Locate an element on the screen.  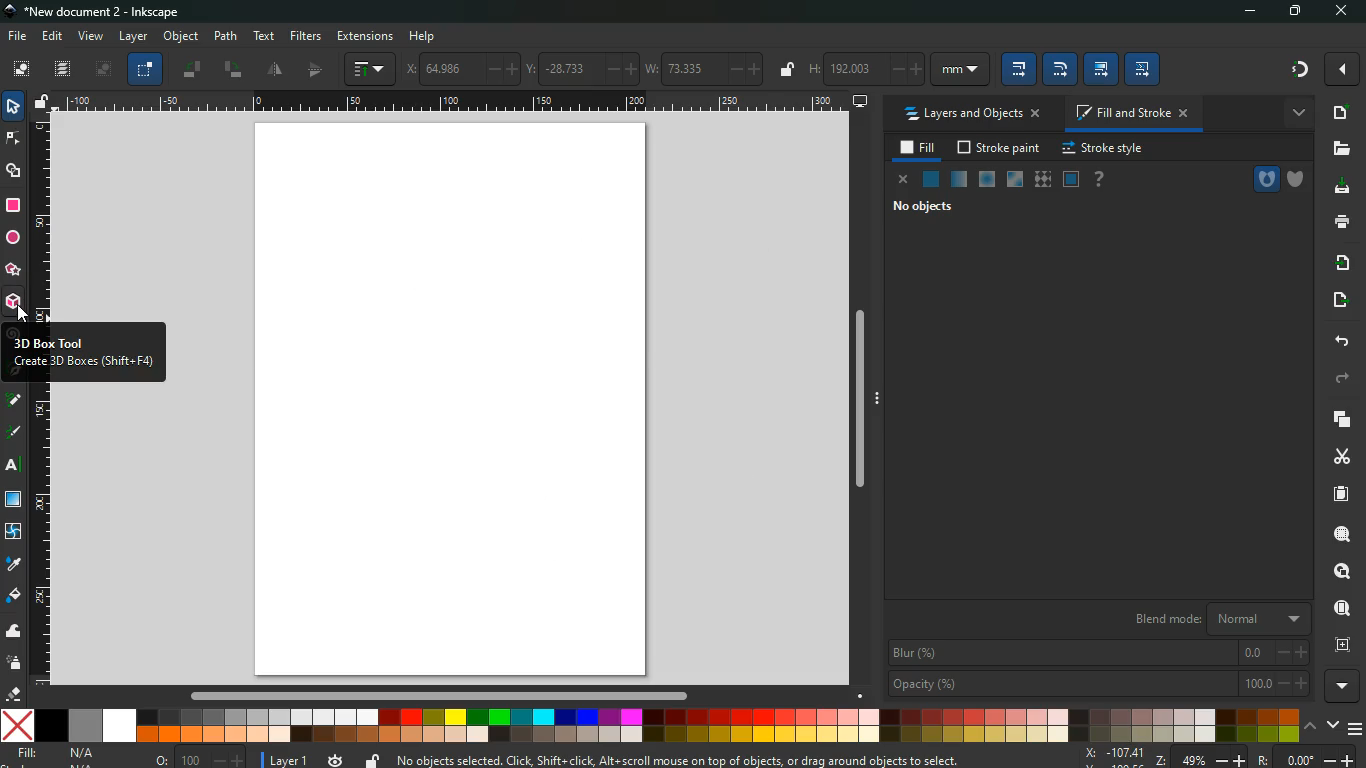
mm is located at coordinates (960, 69).